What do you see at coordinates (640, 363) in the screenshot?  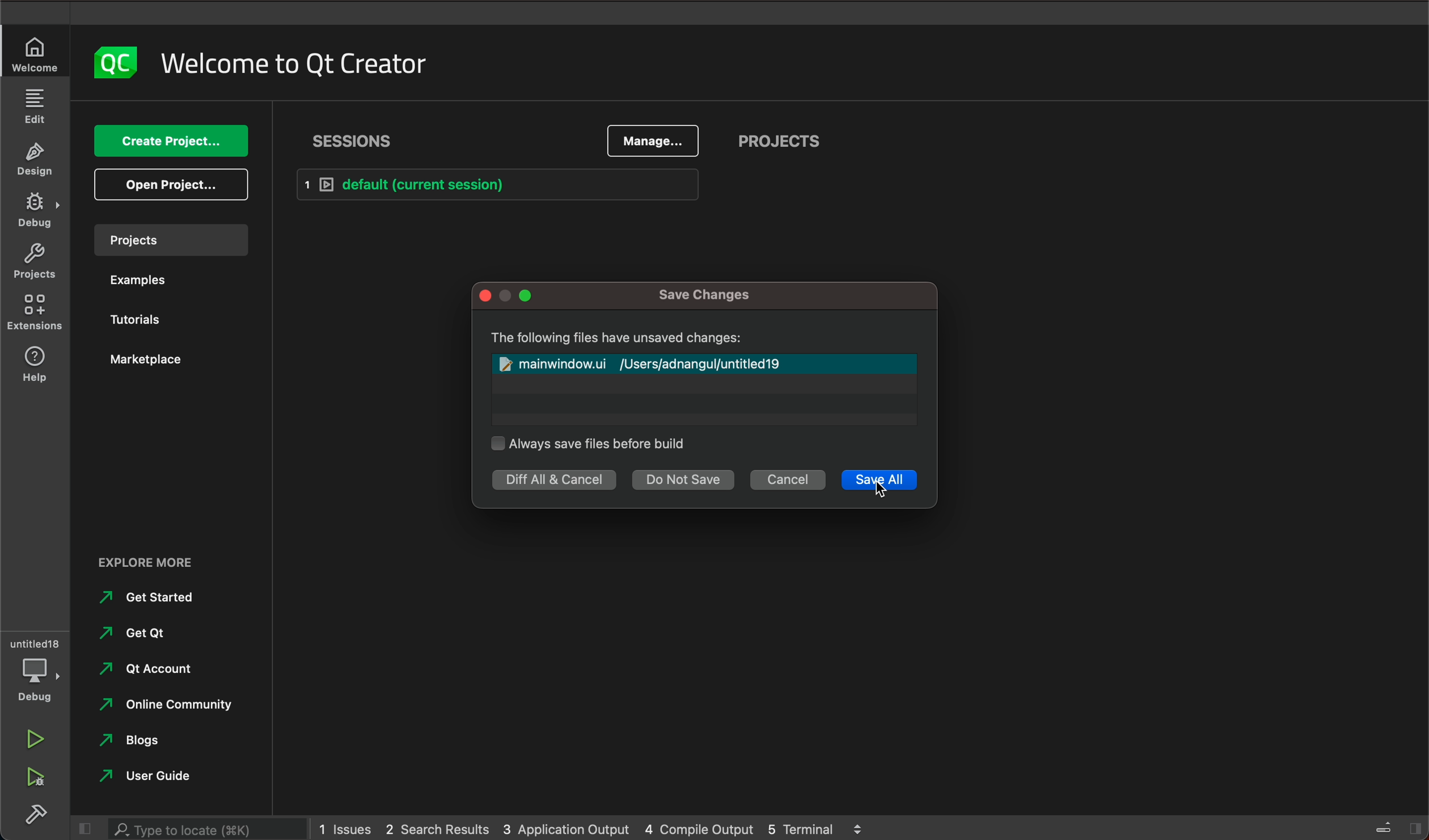 I see `mainwindow.ui  /Users/adnangul/untitled19` at bounding box center [640, 363].